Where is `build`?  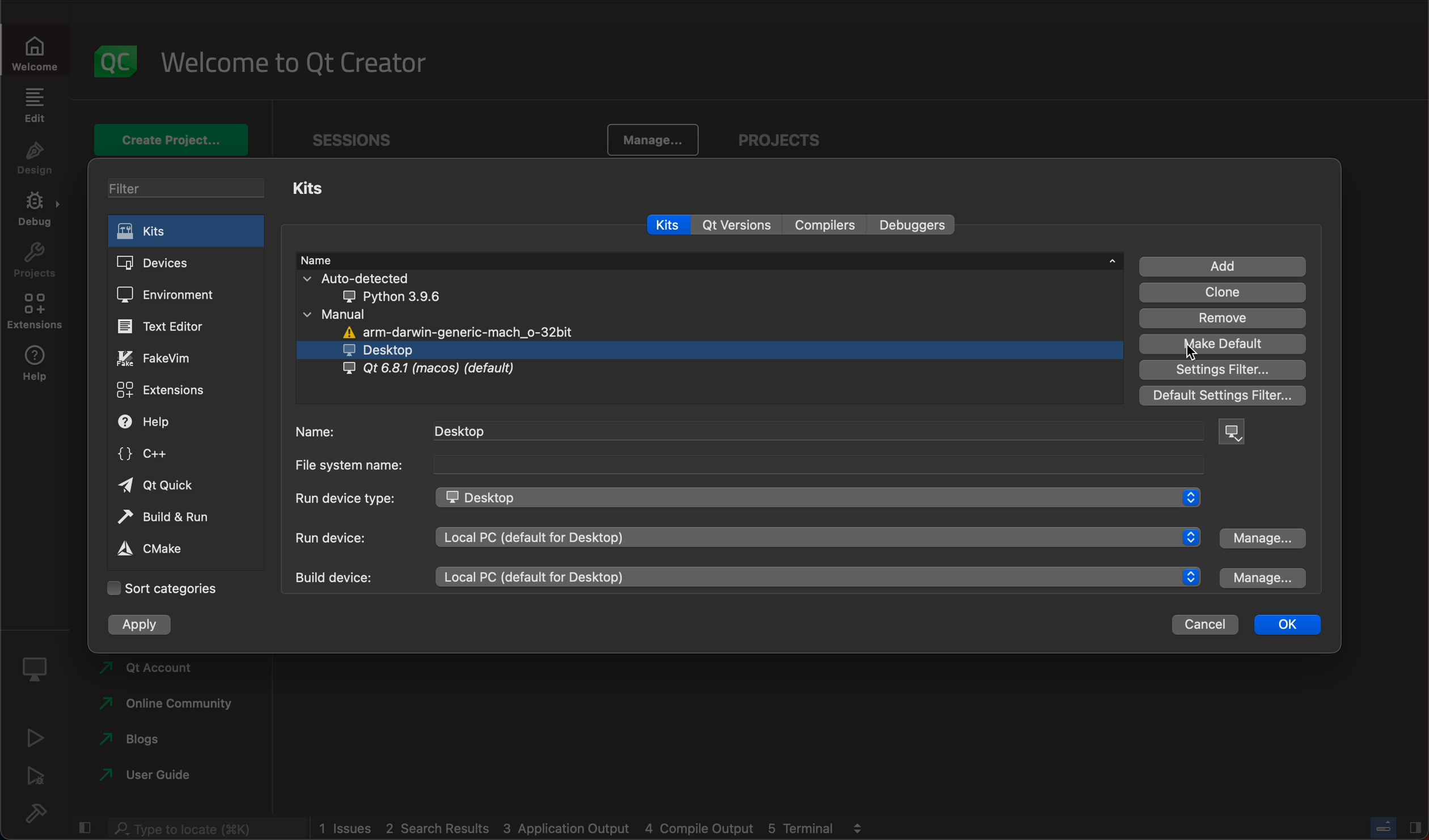 build is located at coordinates (35, 814).